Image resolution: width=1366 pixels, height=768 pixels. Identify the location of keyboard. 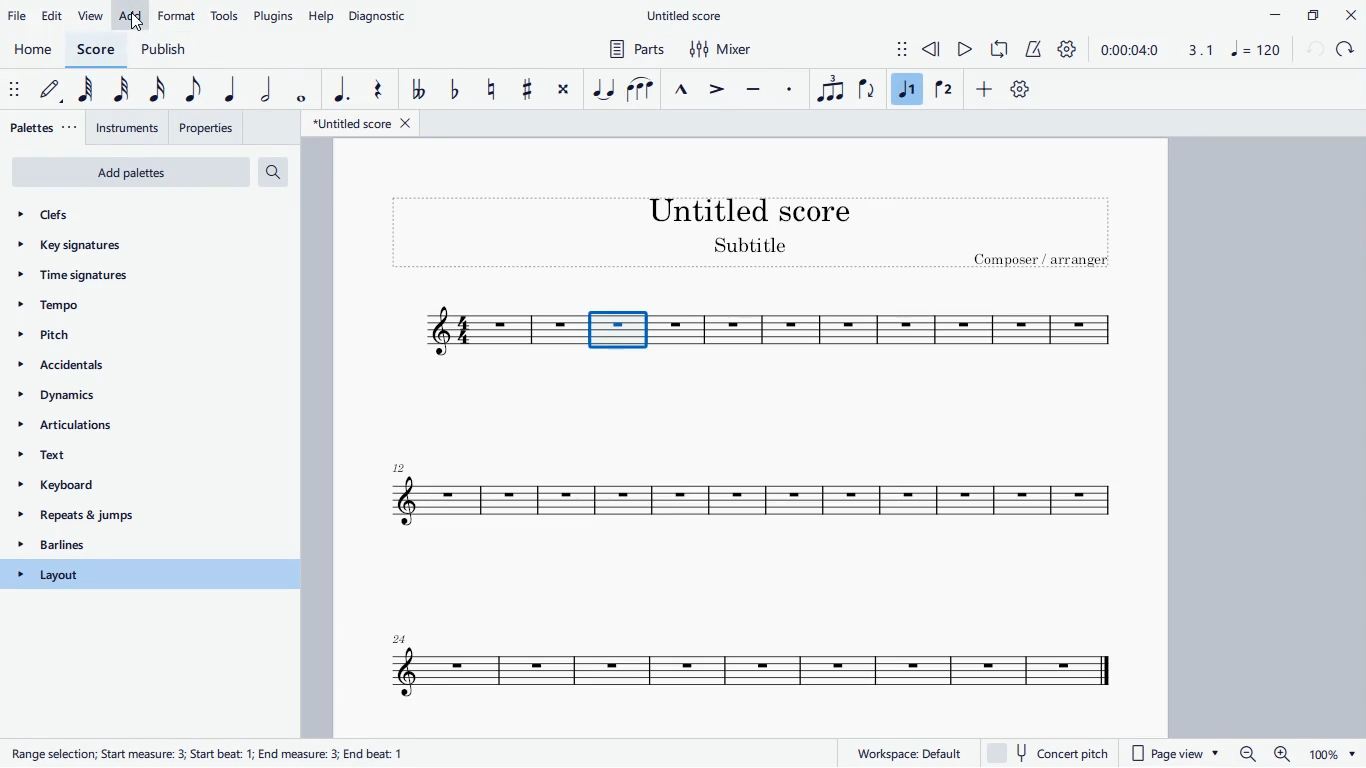
(139, 488).